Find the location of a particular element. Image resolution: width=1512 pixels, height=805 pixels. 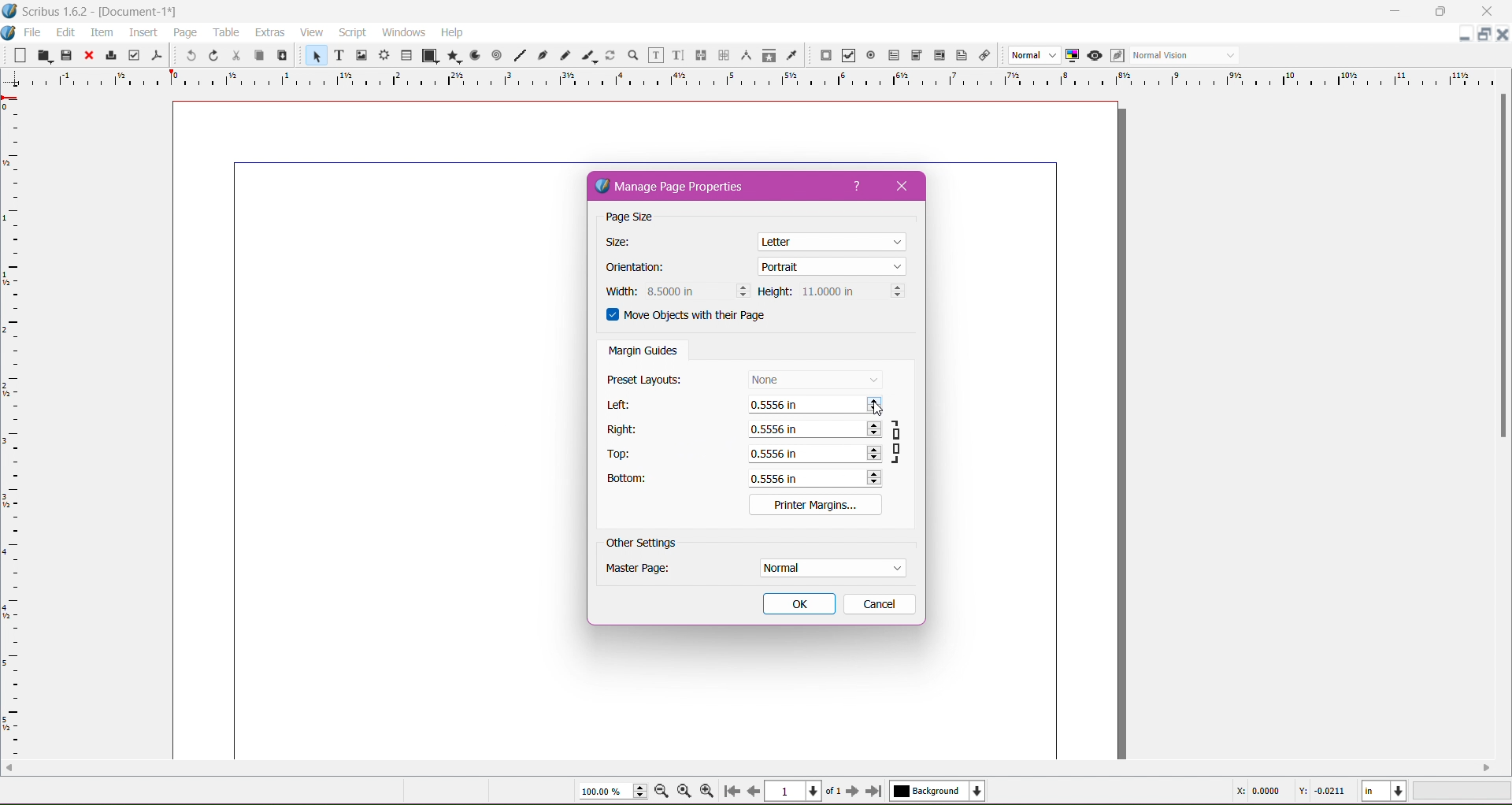

Close is located at coordinates (87, 56).